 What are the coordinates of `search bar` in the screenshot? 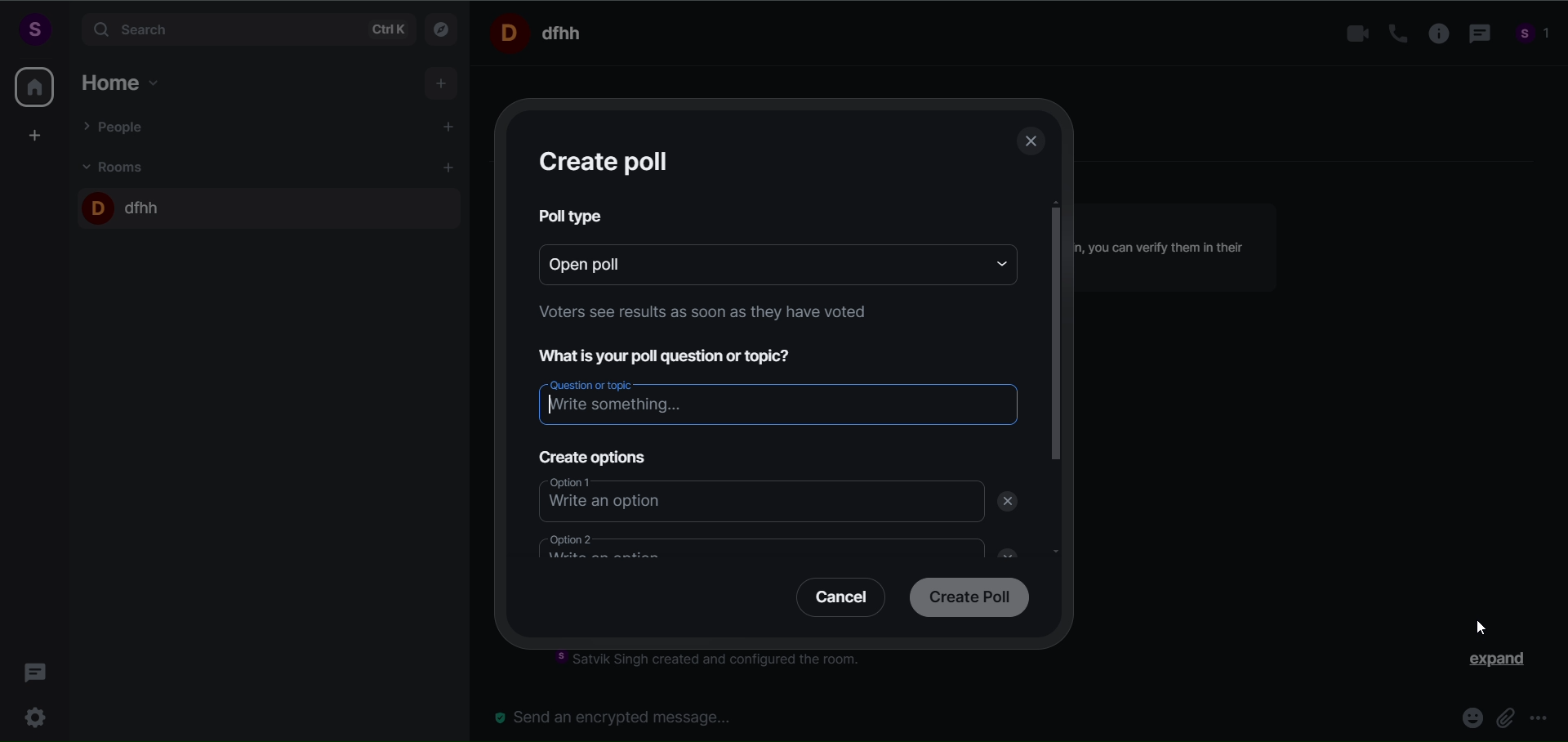 It's located at (245, 29).